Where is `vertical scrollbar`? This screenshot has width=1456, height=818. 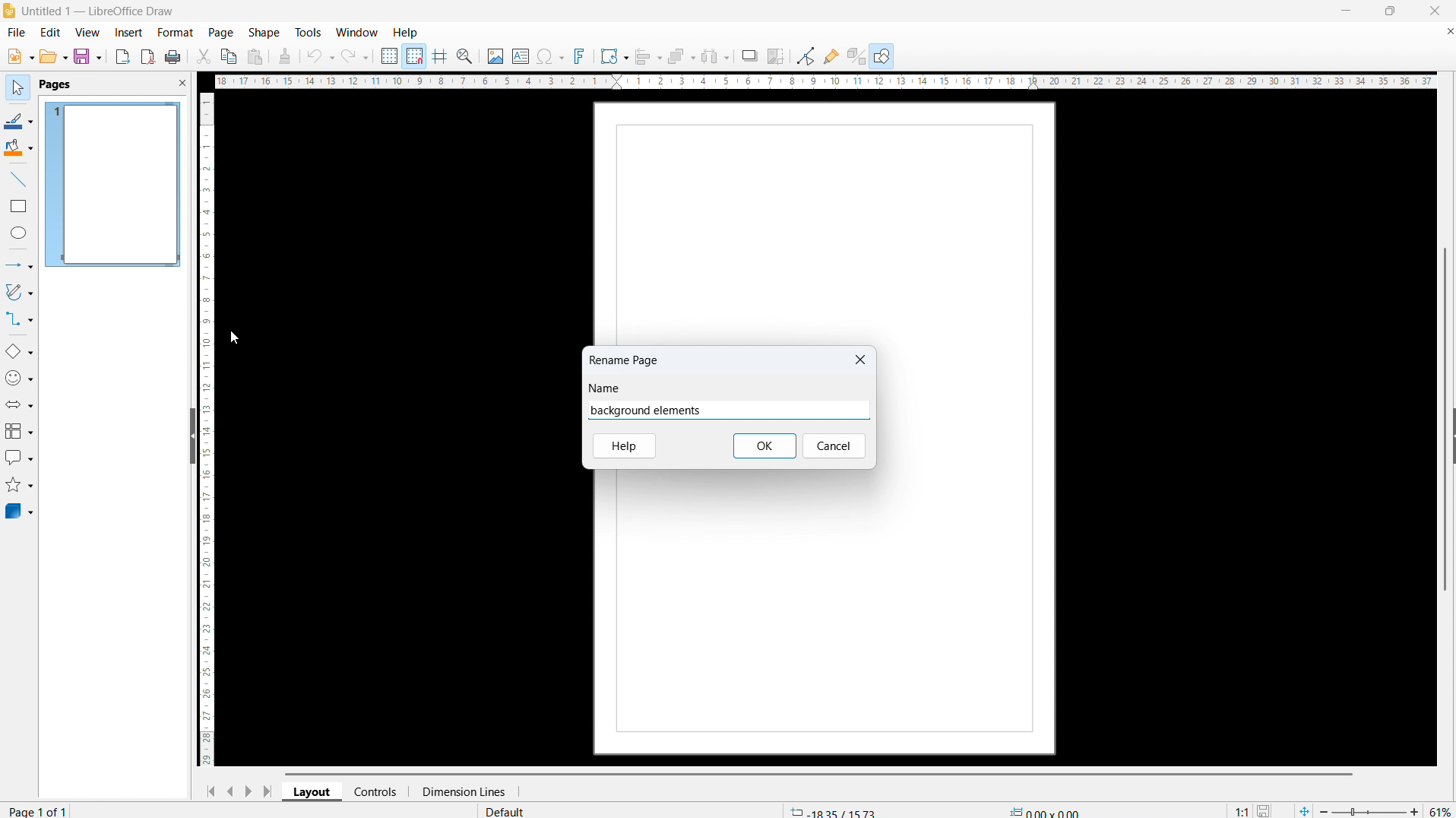
vertical scrollbar is located at coordinates (1445, 317).